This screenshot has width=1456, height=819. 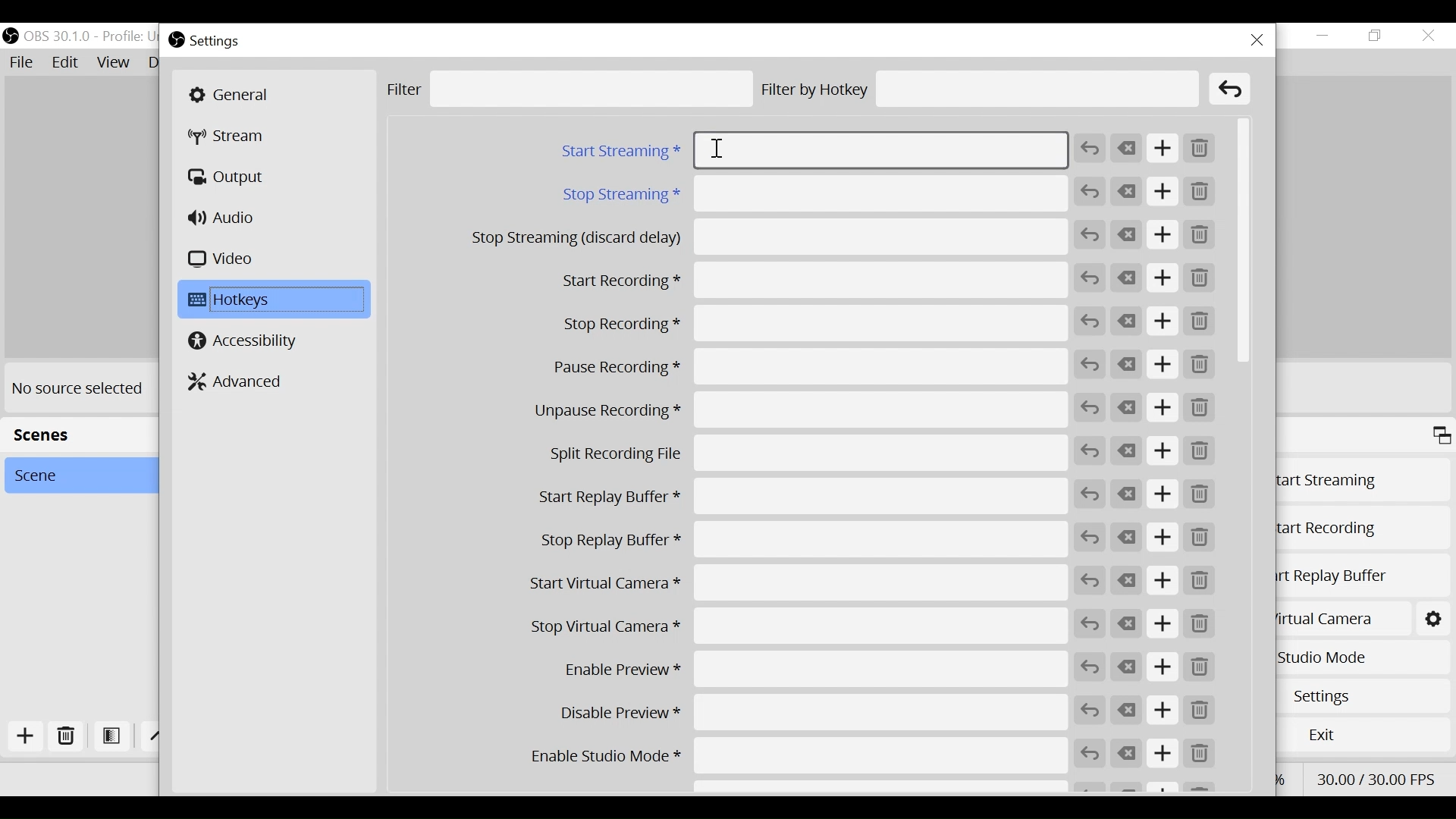 I want to click on No source selected, so click(x=78, y=387).